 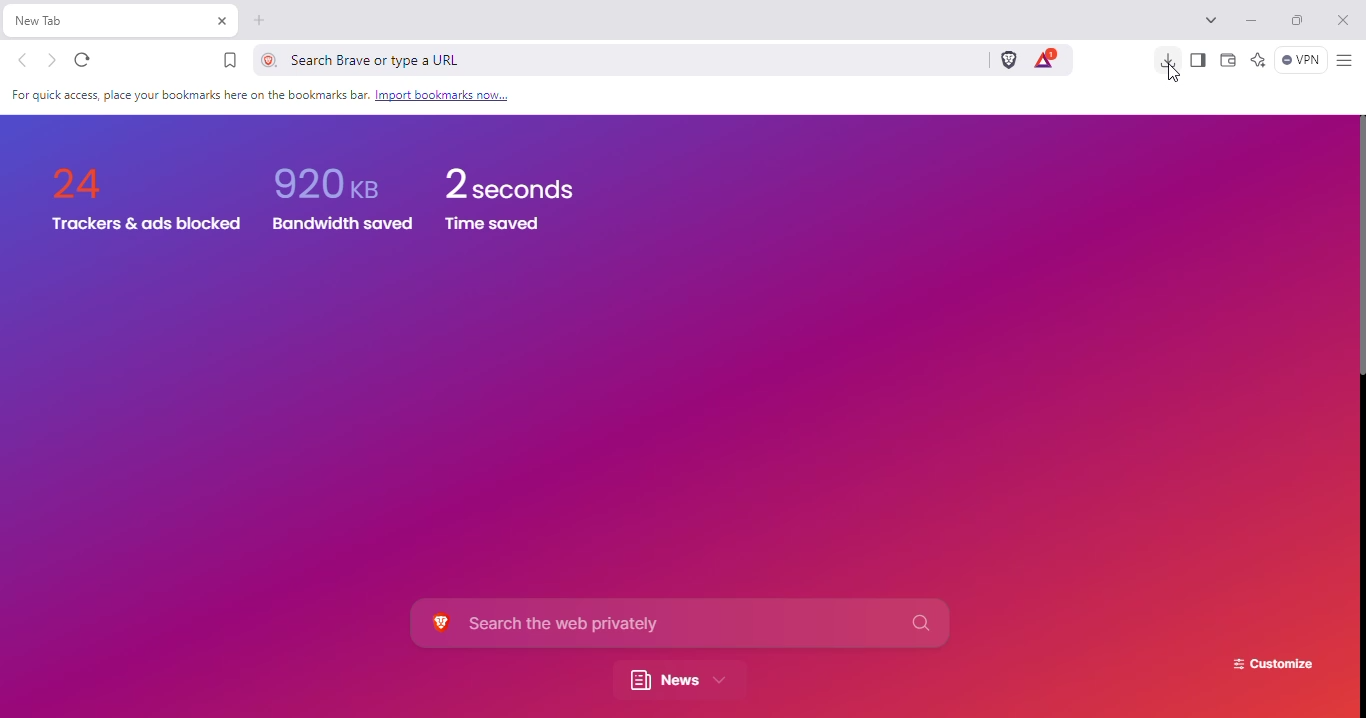 What do you see at coordinates (1300, 59) in the screenshot?
I see `brave firewall + VPN` at bounding box center [1300, 59].